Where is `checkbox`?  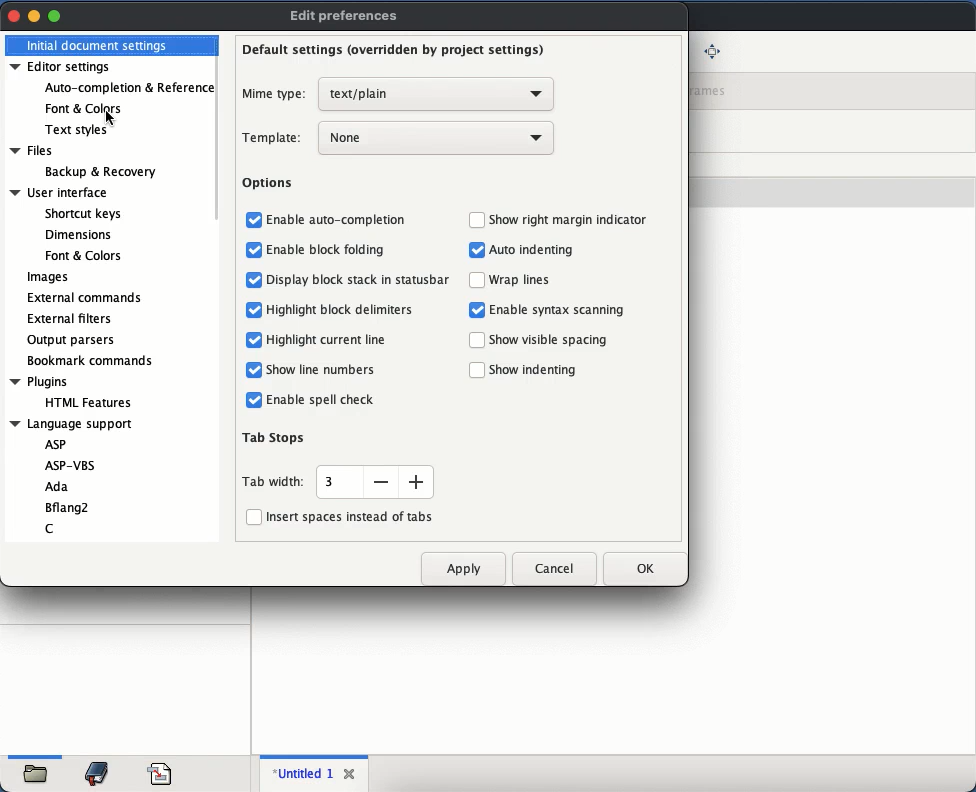
checkbox is located at coordinates (252, 370).